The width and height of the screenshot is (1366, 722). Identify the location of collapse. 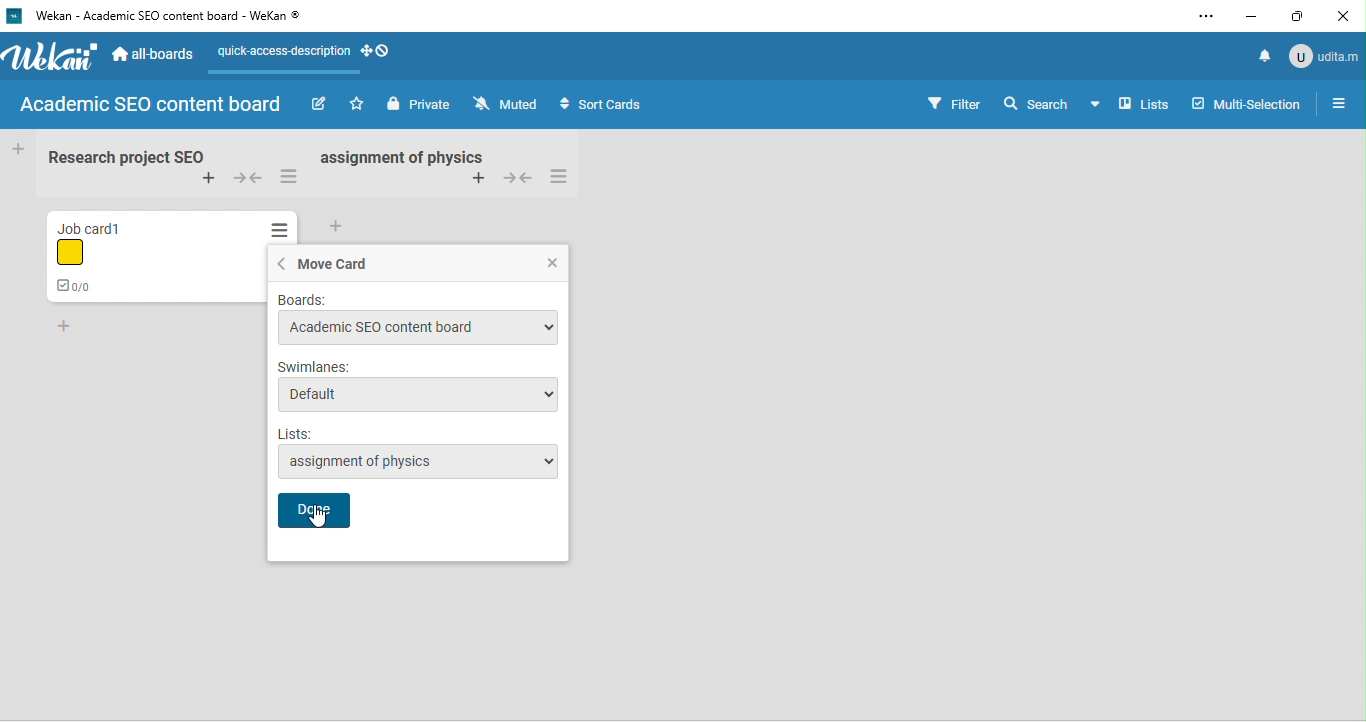
(245, 178).